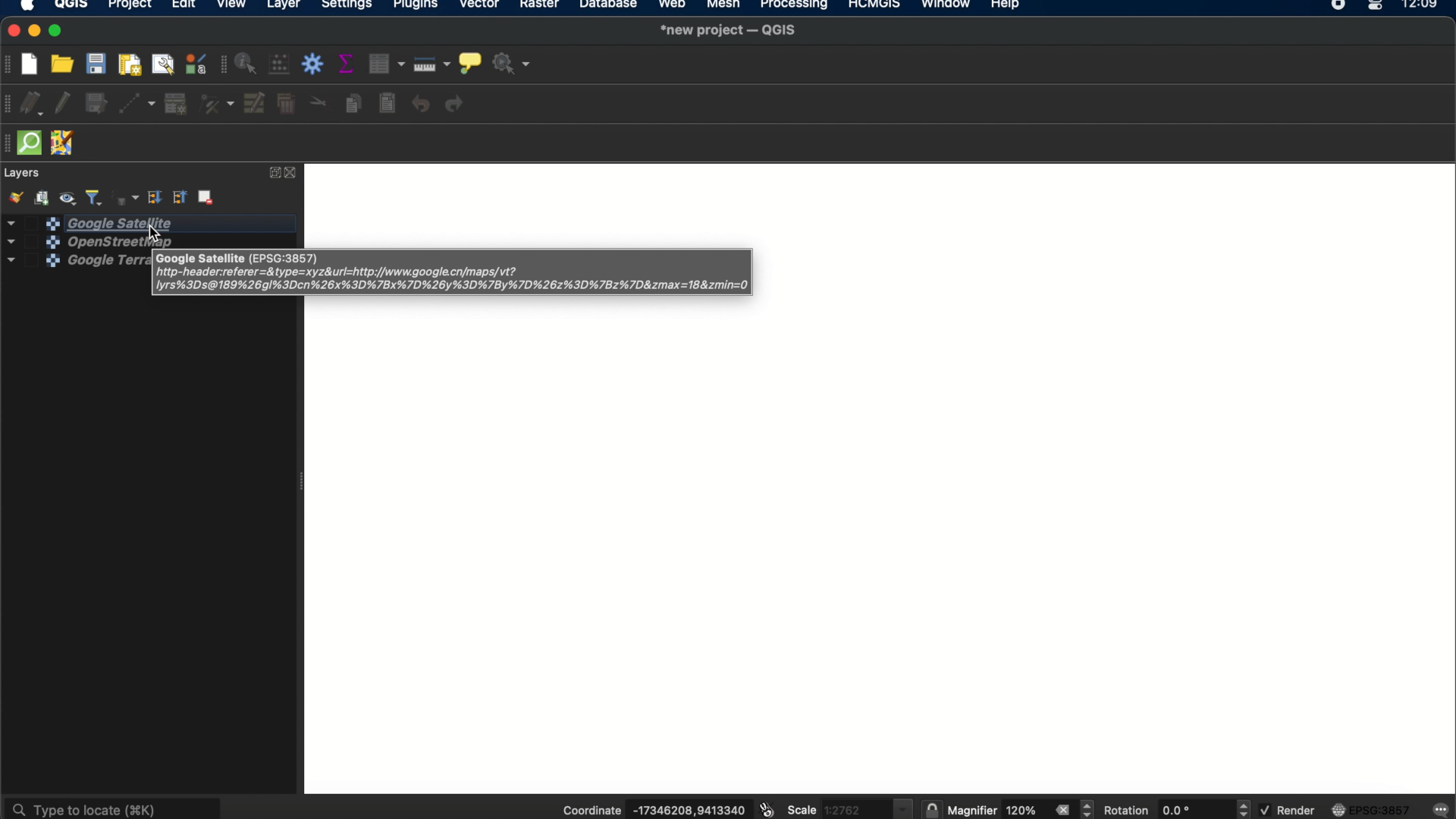 Image resolution: width=1456 pixels, height=819 pixels. I want to click on remove layer group, so click(208, 199).